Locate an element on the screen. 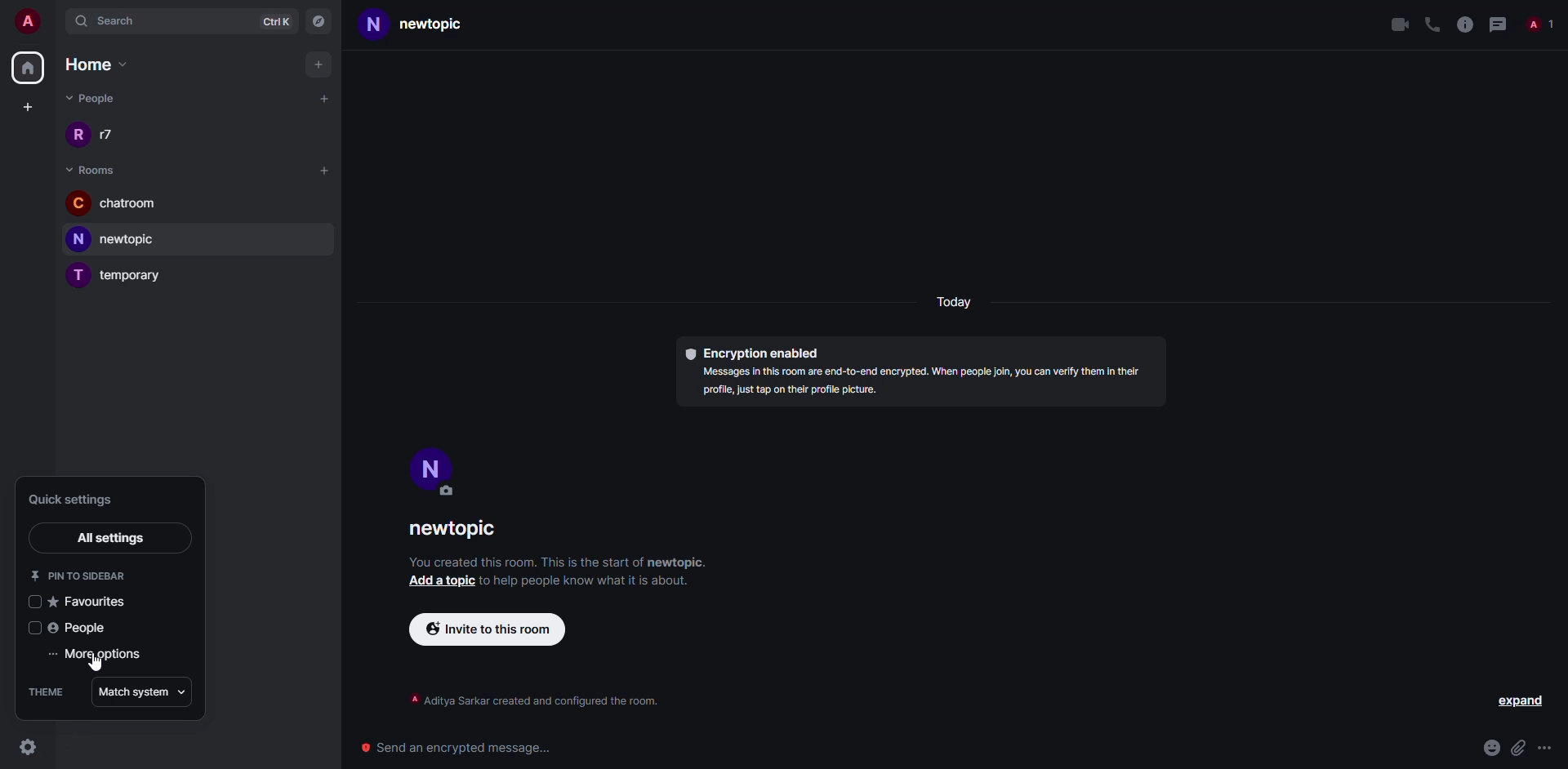  add is located at coordinates (322, 170).